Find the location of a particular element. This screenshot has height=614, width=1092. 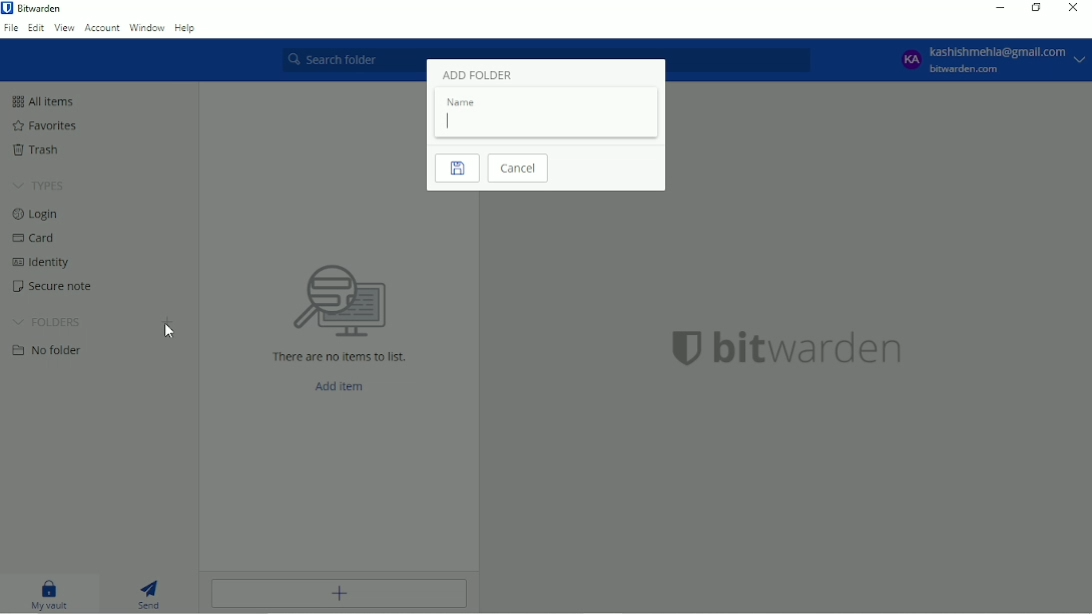

Bitwarden is located at coordinates (40, 9).